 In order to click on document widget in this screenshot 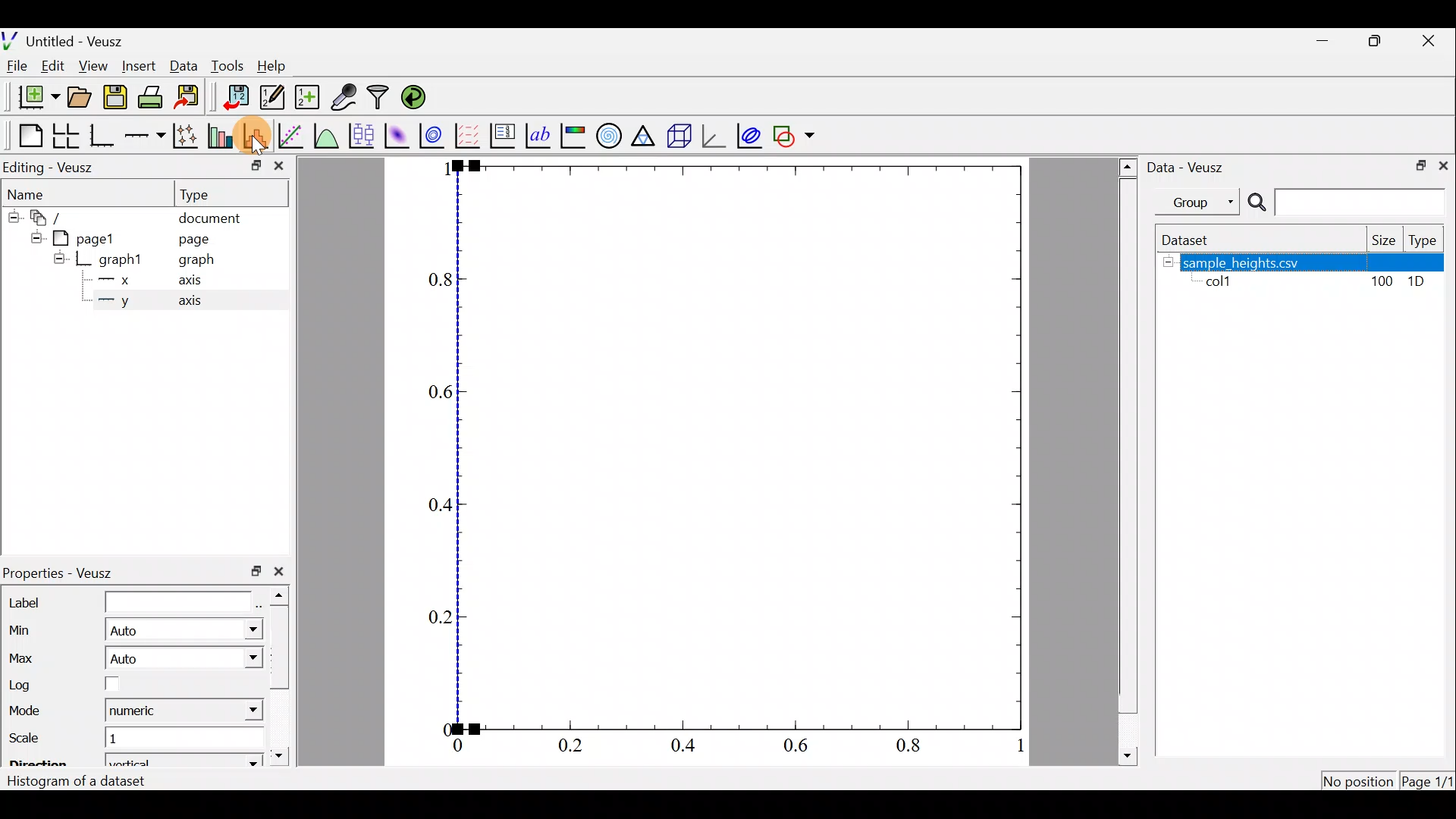, I will do `click(49, 219)`.